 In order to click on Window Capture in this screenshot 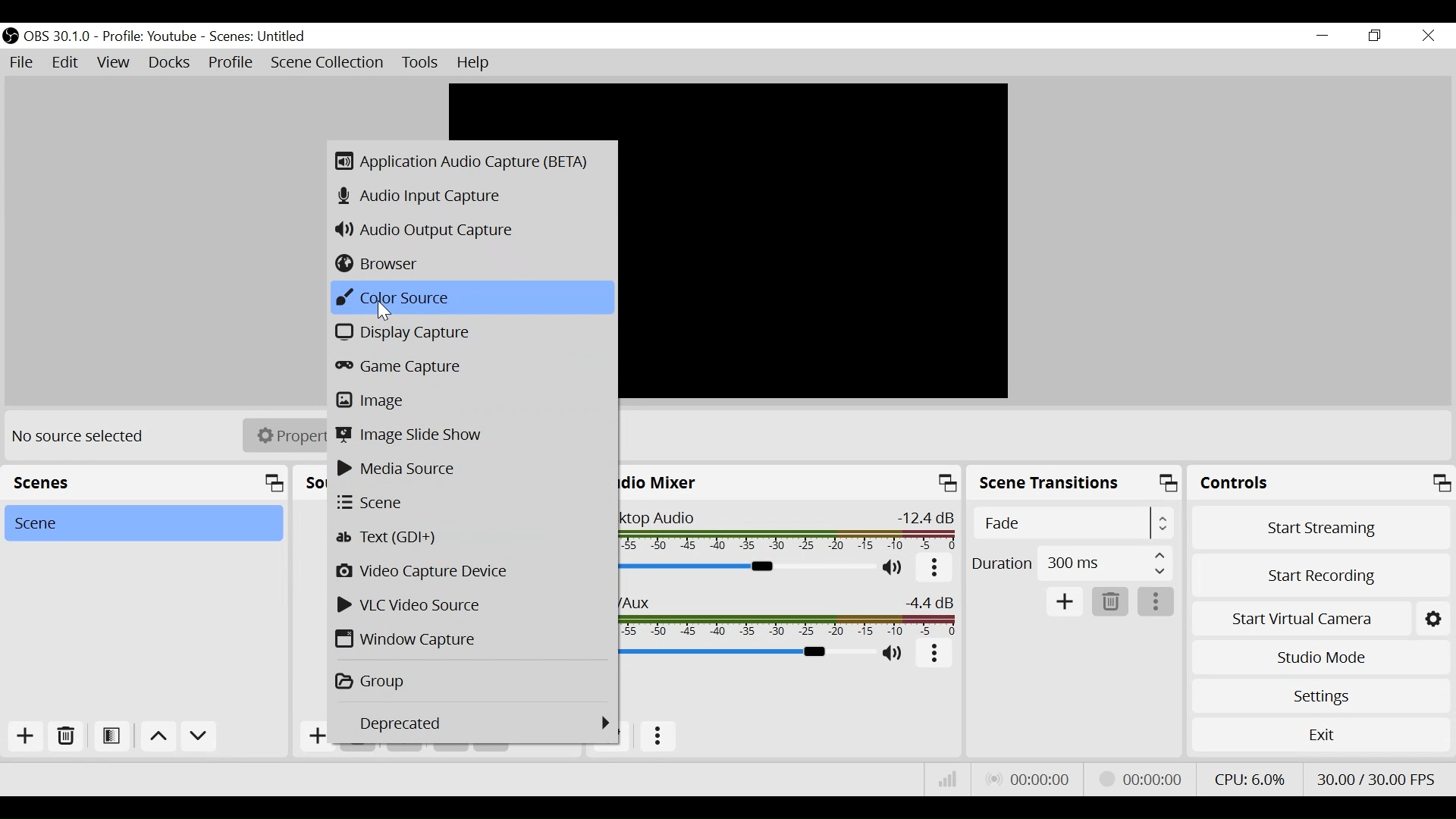, I will do `click(470, 640)`.